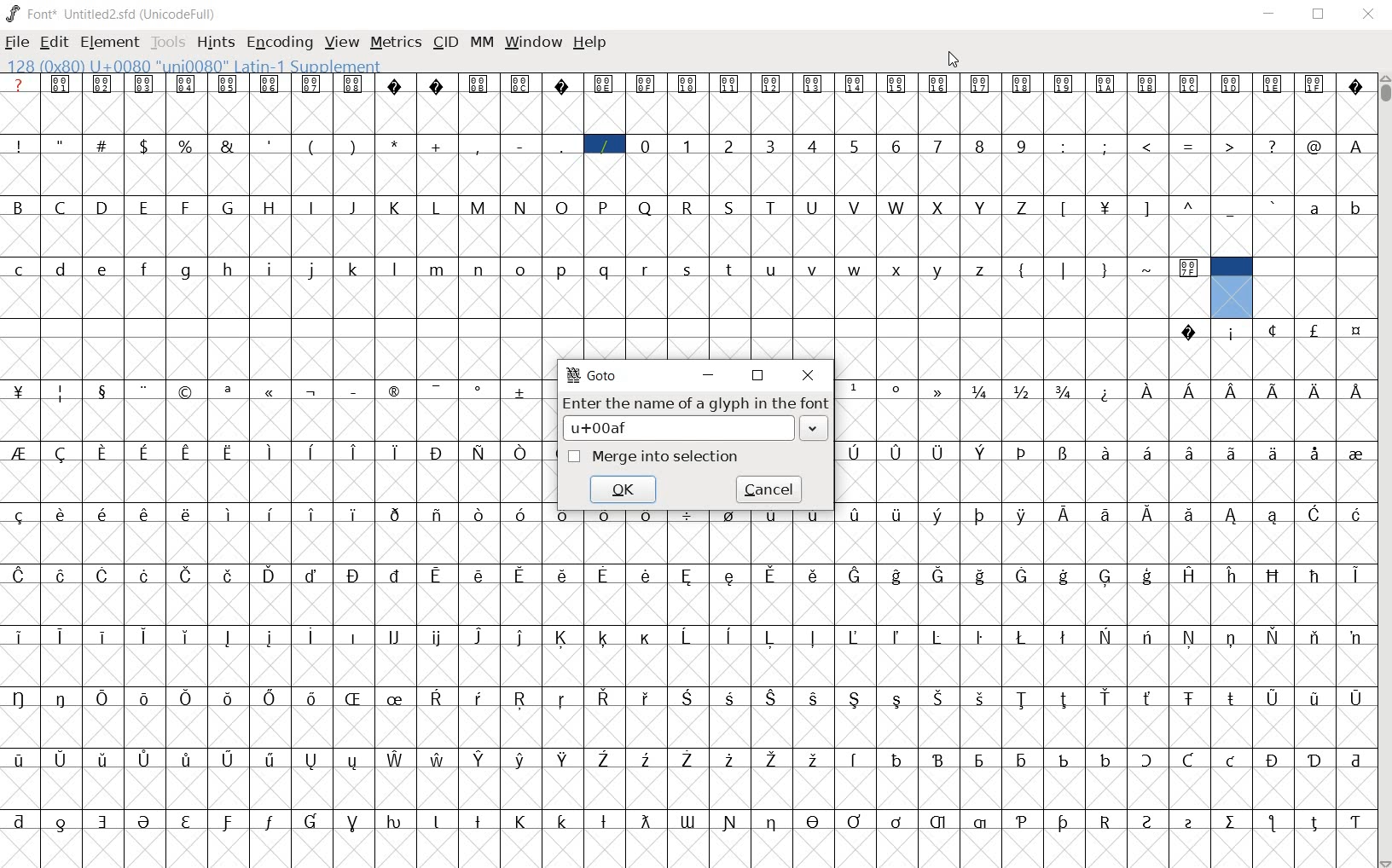 Image resolution: width=1392 pixels, height=868 pixels. I want to click on Symbol, so click(1314, 758).